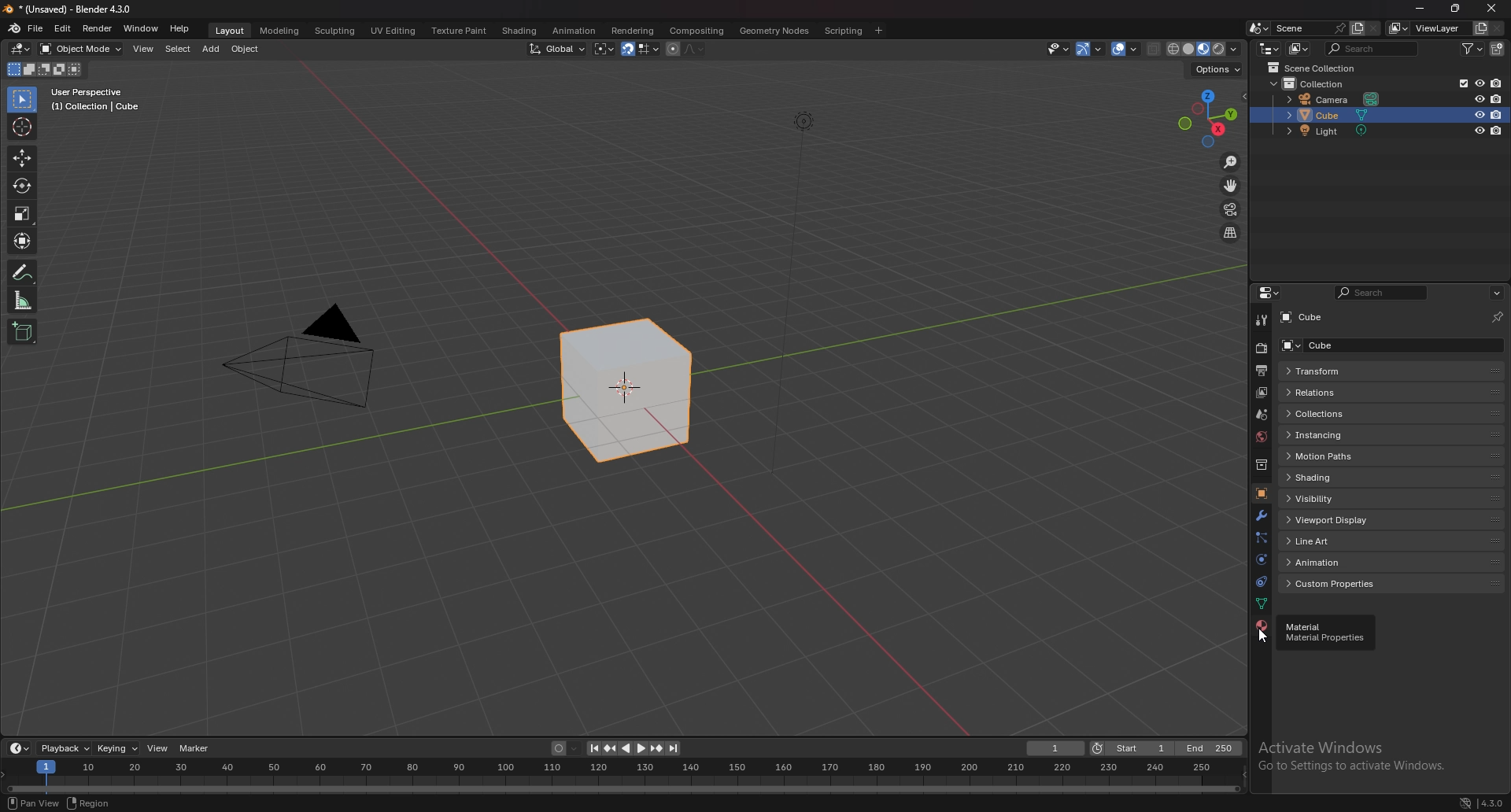 Image resolution: width=1511 pixels, height=812 pixels. Describe the element at coordinates (457, 31) in the screenshot. I see `texture paint` at that location.